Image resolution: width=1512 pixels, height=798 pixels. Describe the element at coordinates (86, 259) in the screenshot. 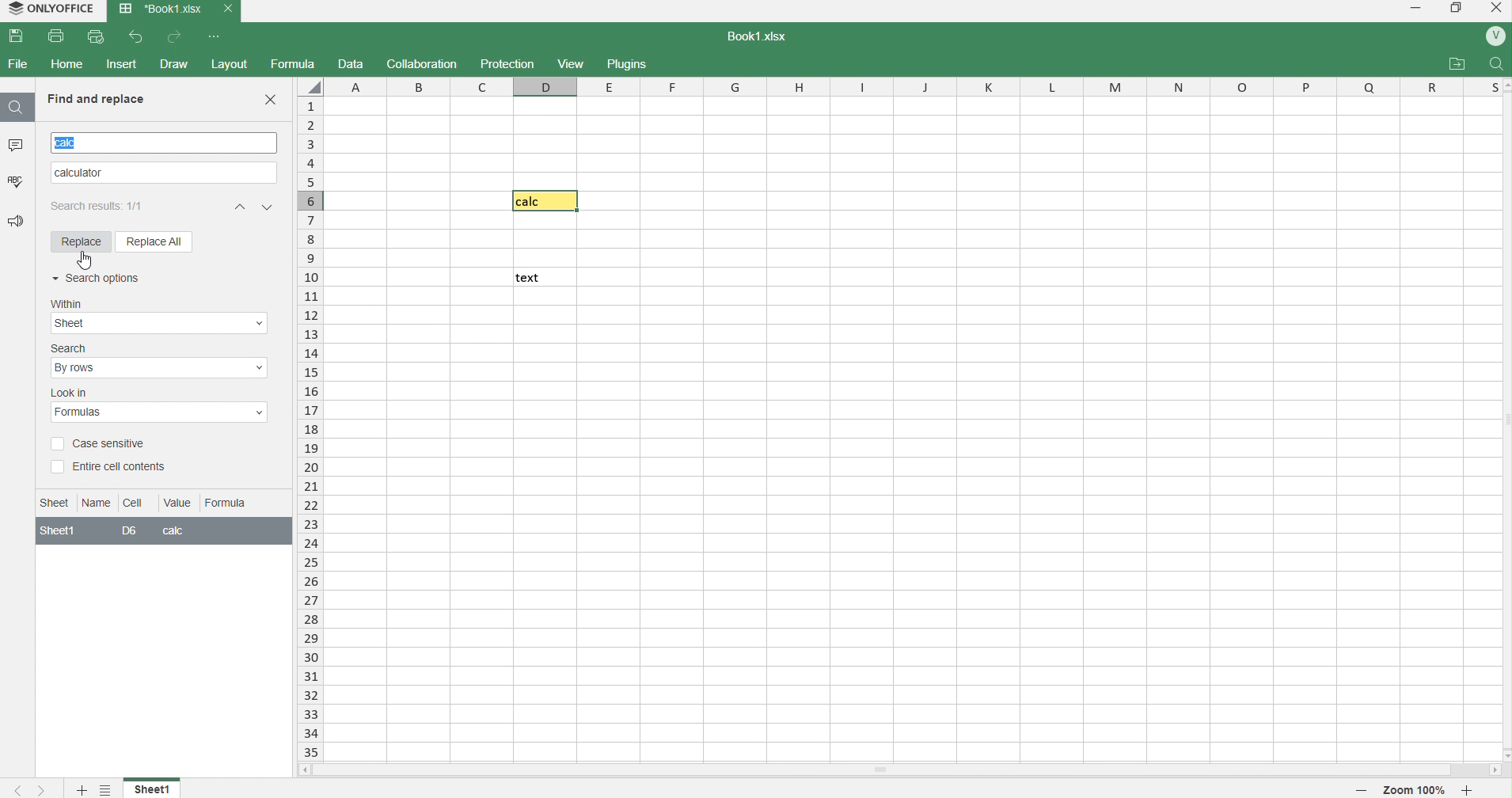

I see `cursor` at that location.